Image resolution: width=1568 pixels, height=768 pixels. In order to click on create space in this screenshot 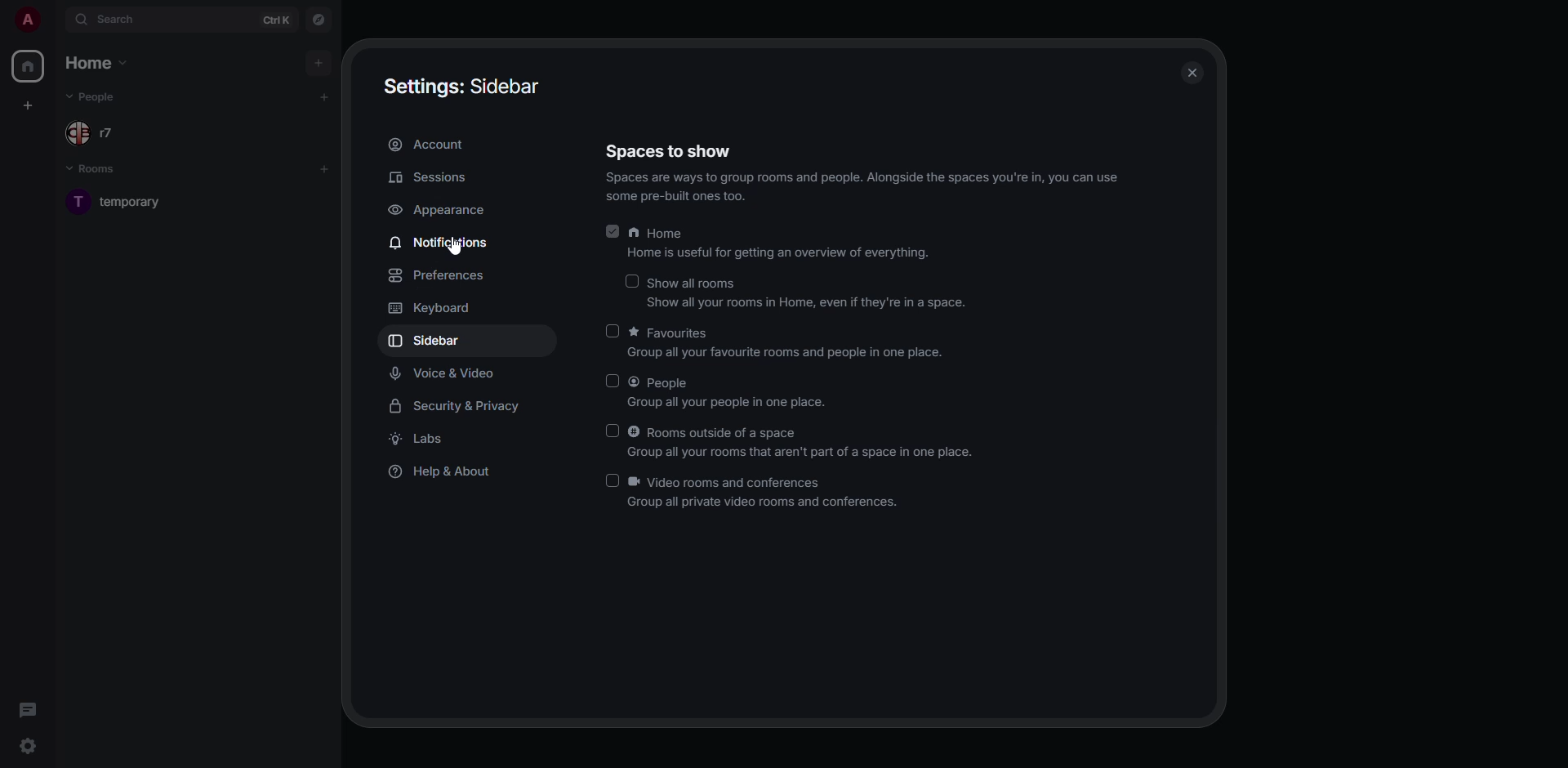, I will do `click(25, 105)`.